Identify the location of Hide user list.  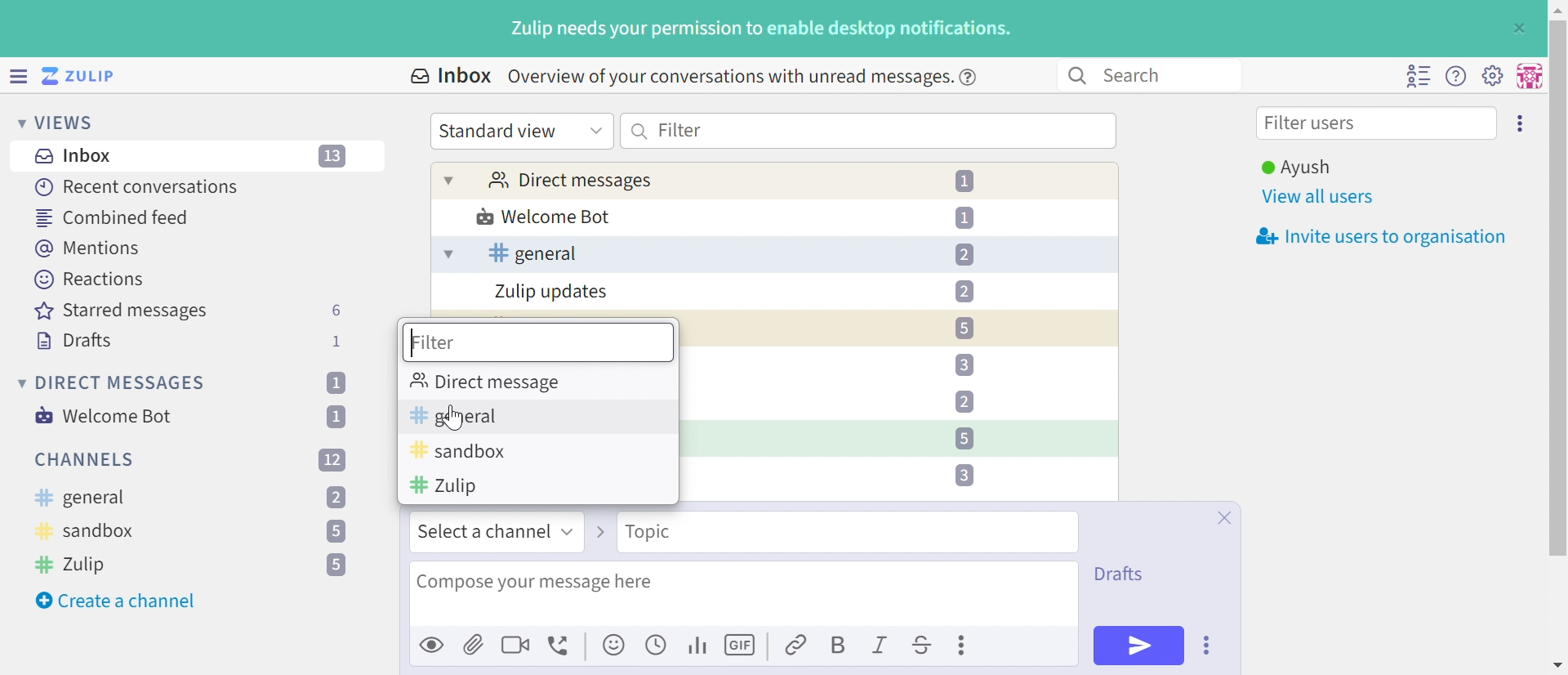
(1418, 76).